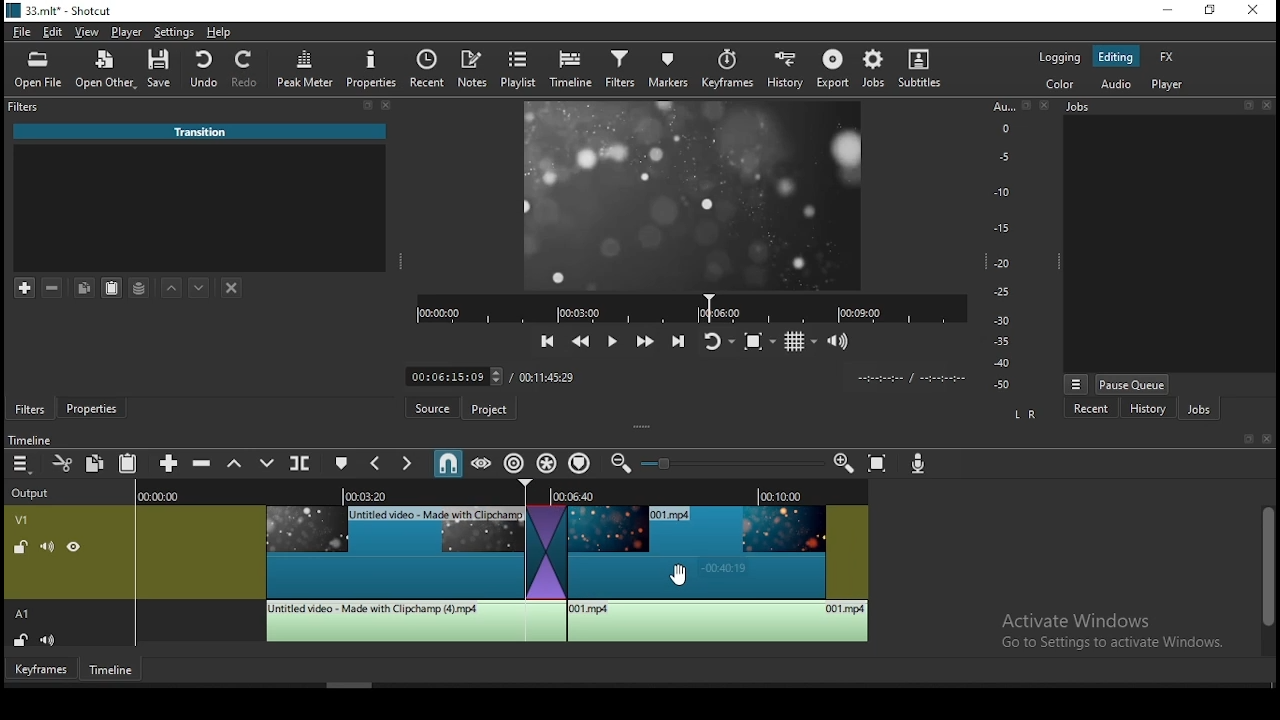 Image resolution: width=1280 pixels, height=720 pixels. I want to click on timestamps, so click(501, 494).